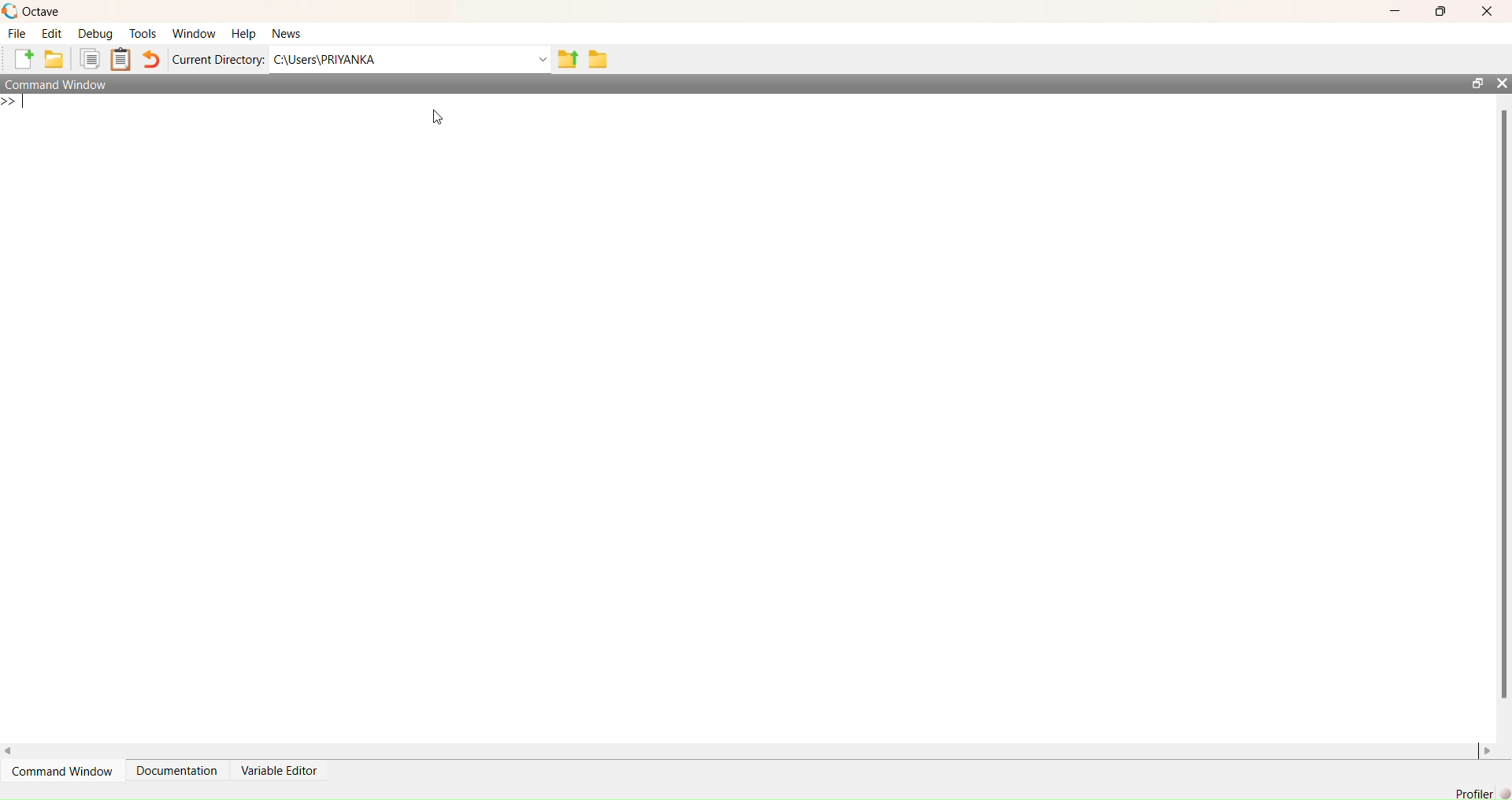 This screenshot has width=1512, height=800. Describe the element at coordinates (438, 116) in the screenshot. I see `cursor` at that location.